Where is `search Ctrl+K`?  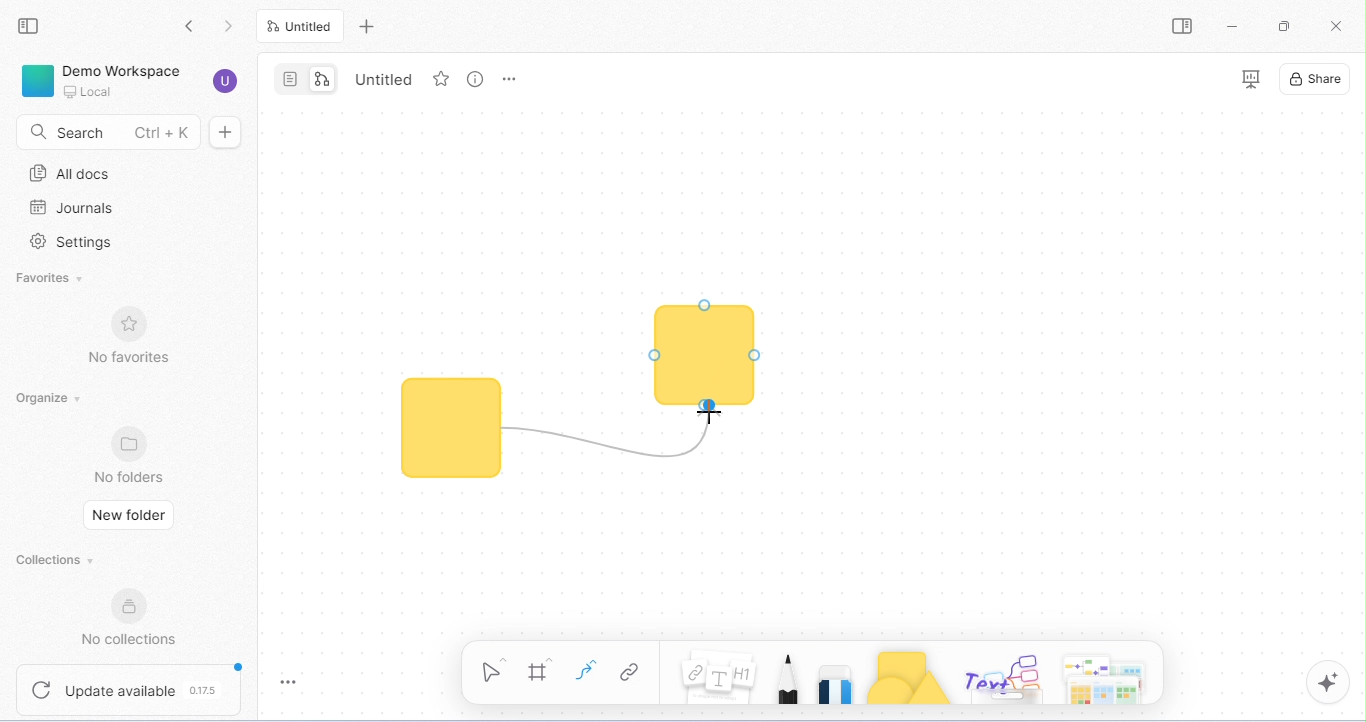 search Ctrl+K is located at coordinates (105, 130).